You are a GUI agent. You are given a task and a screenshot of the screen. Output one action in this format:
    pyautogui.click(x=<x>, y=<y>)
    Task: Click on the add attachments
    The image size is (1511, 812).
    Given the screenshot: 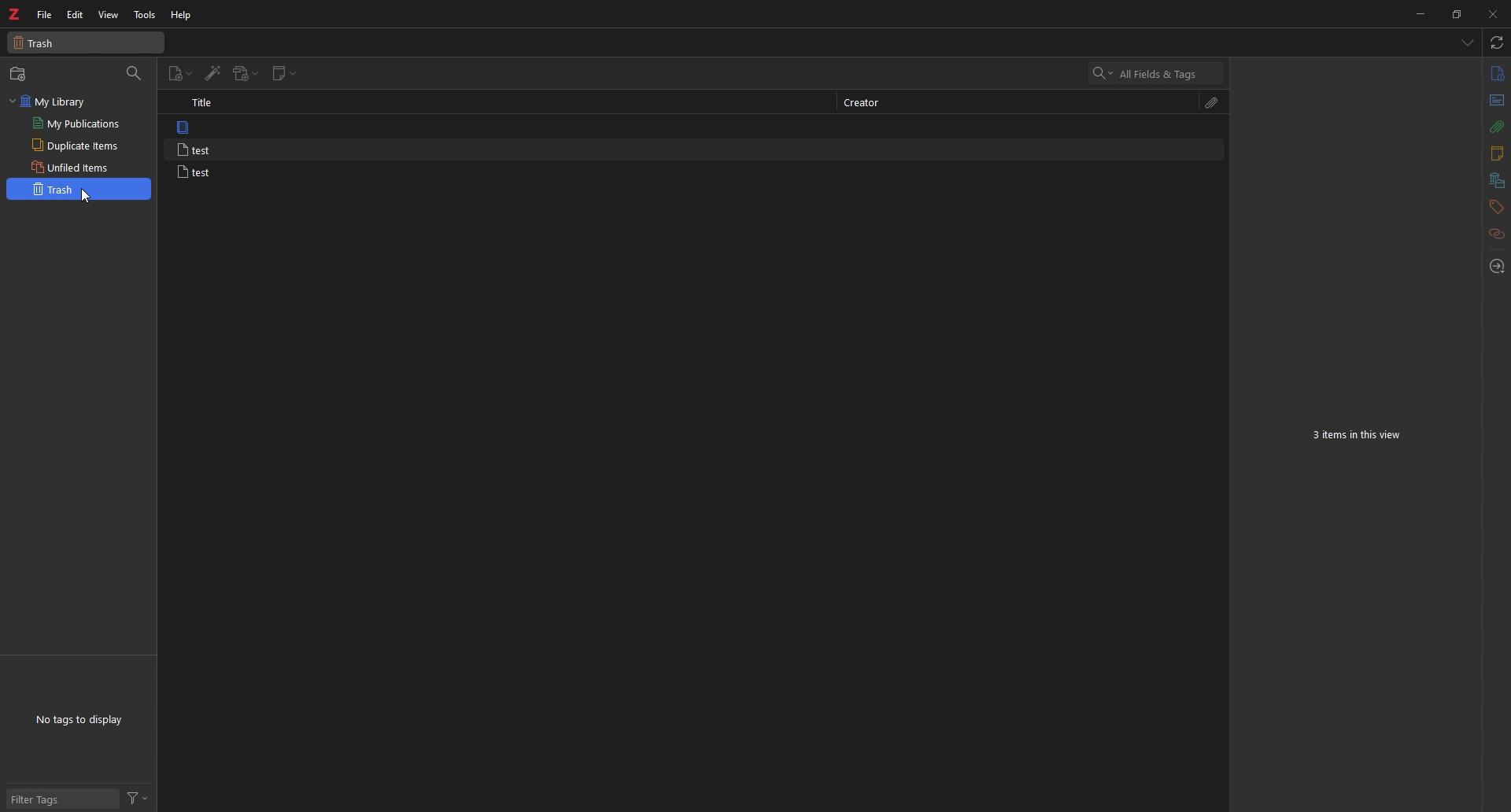 What is the action you would take?
    pyautogui.click(x=246, y=74)
    